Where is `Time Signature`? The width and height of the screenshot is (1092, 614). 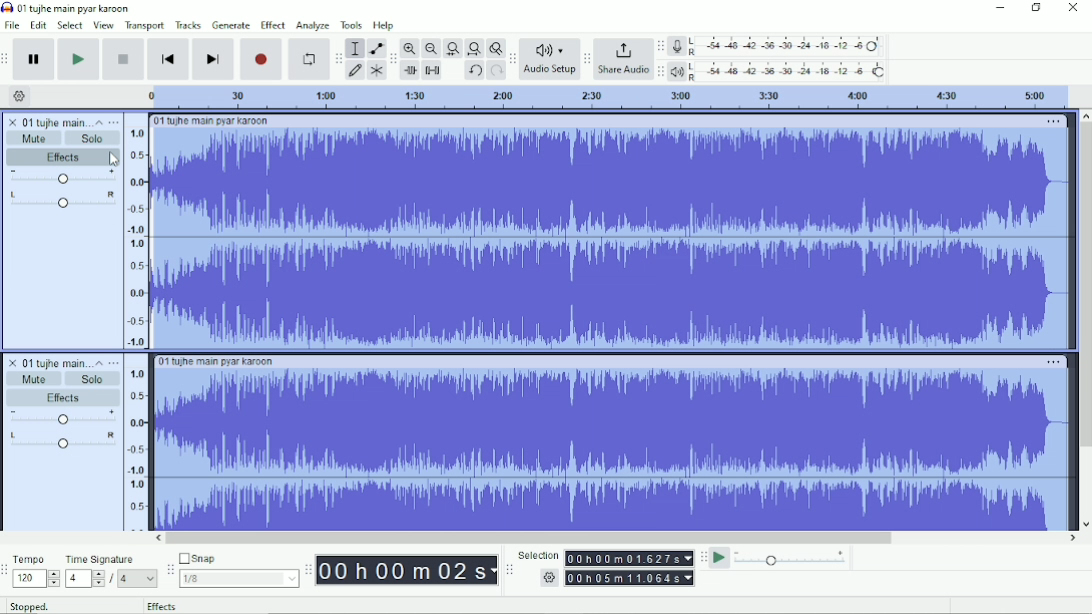
Time Signature is located at coordinates (101, 560).